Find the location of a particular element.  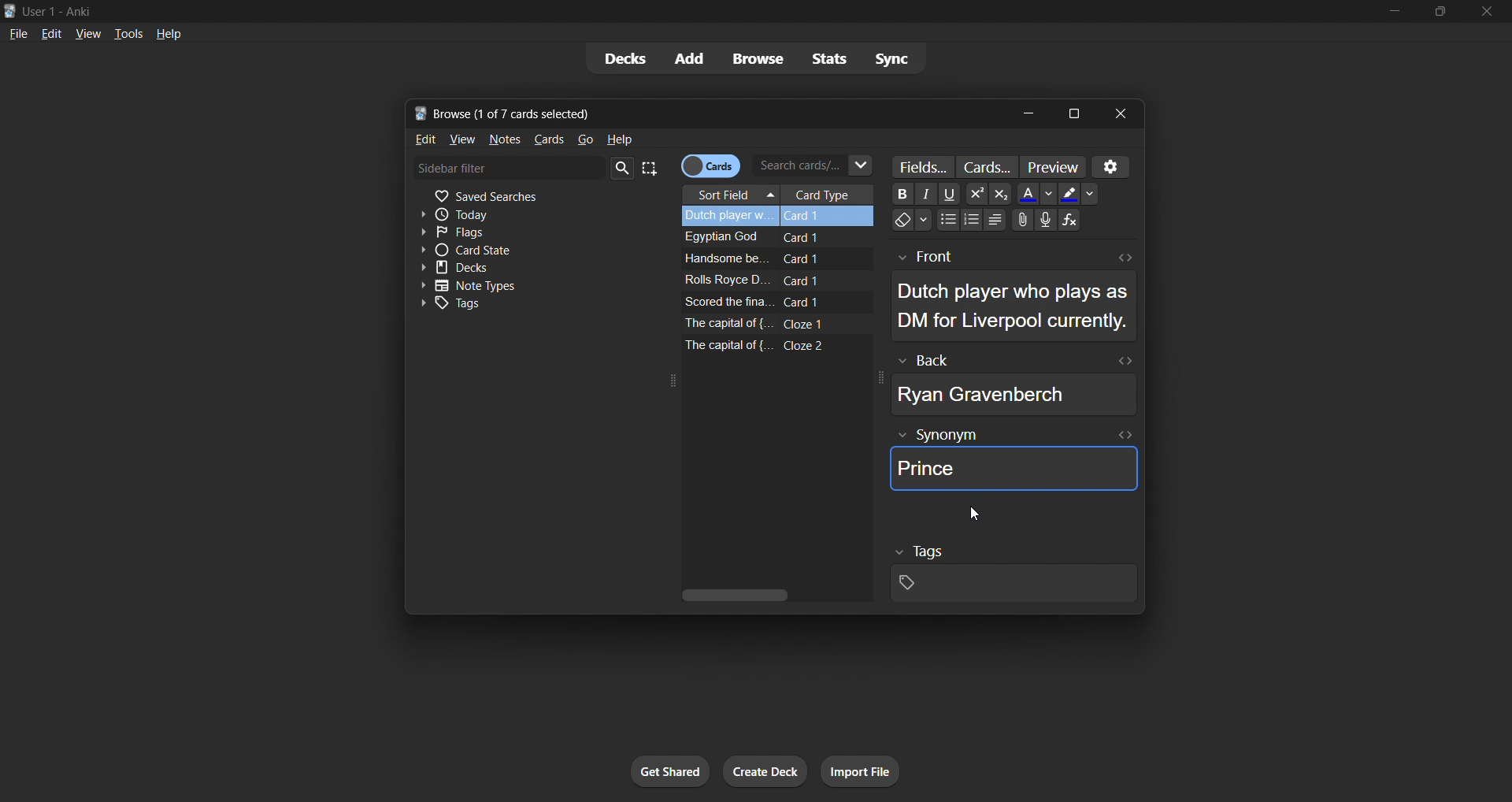

search cards is located at coordinates (813, 165).